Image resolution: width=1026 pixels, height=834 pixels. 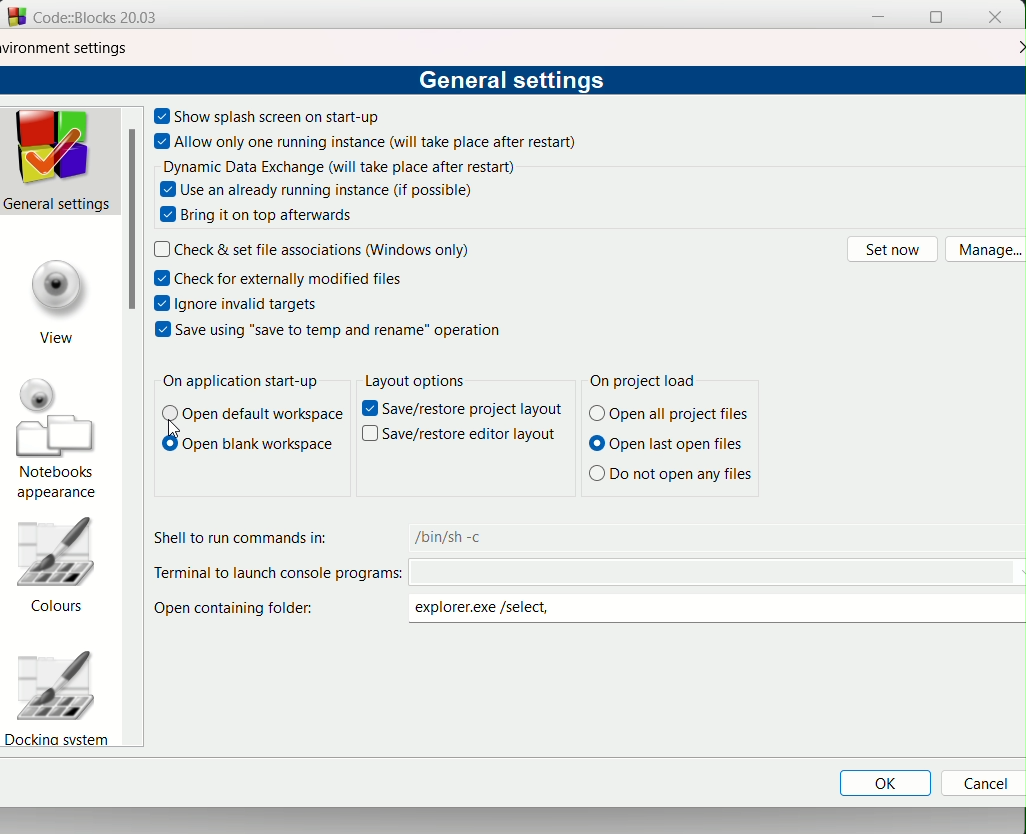 I want to click on text, so click(x=282, y=116).